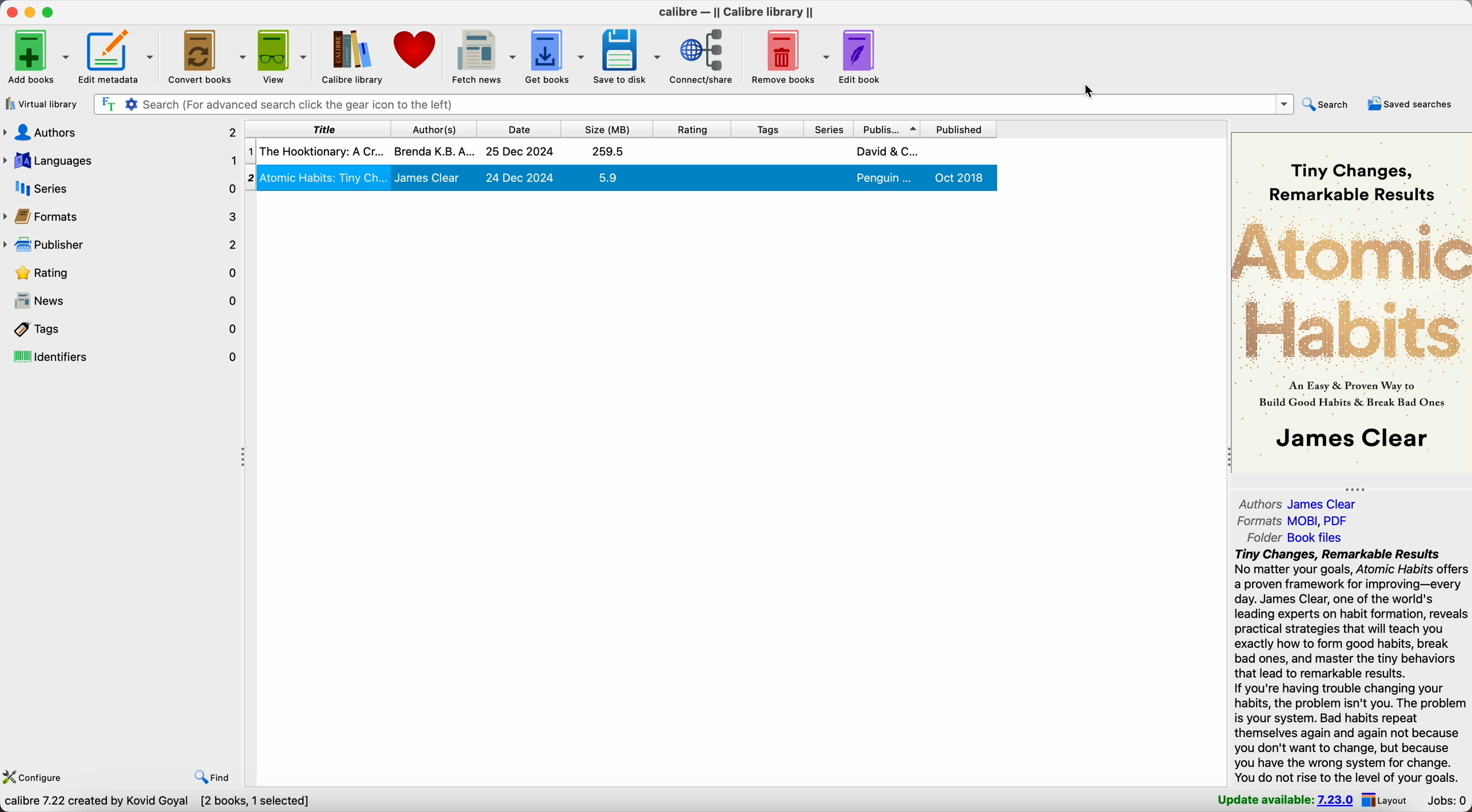 The height and width of the screenshot is (812, 1472). I want to click on 259.5, so click(609, 151).